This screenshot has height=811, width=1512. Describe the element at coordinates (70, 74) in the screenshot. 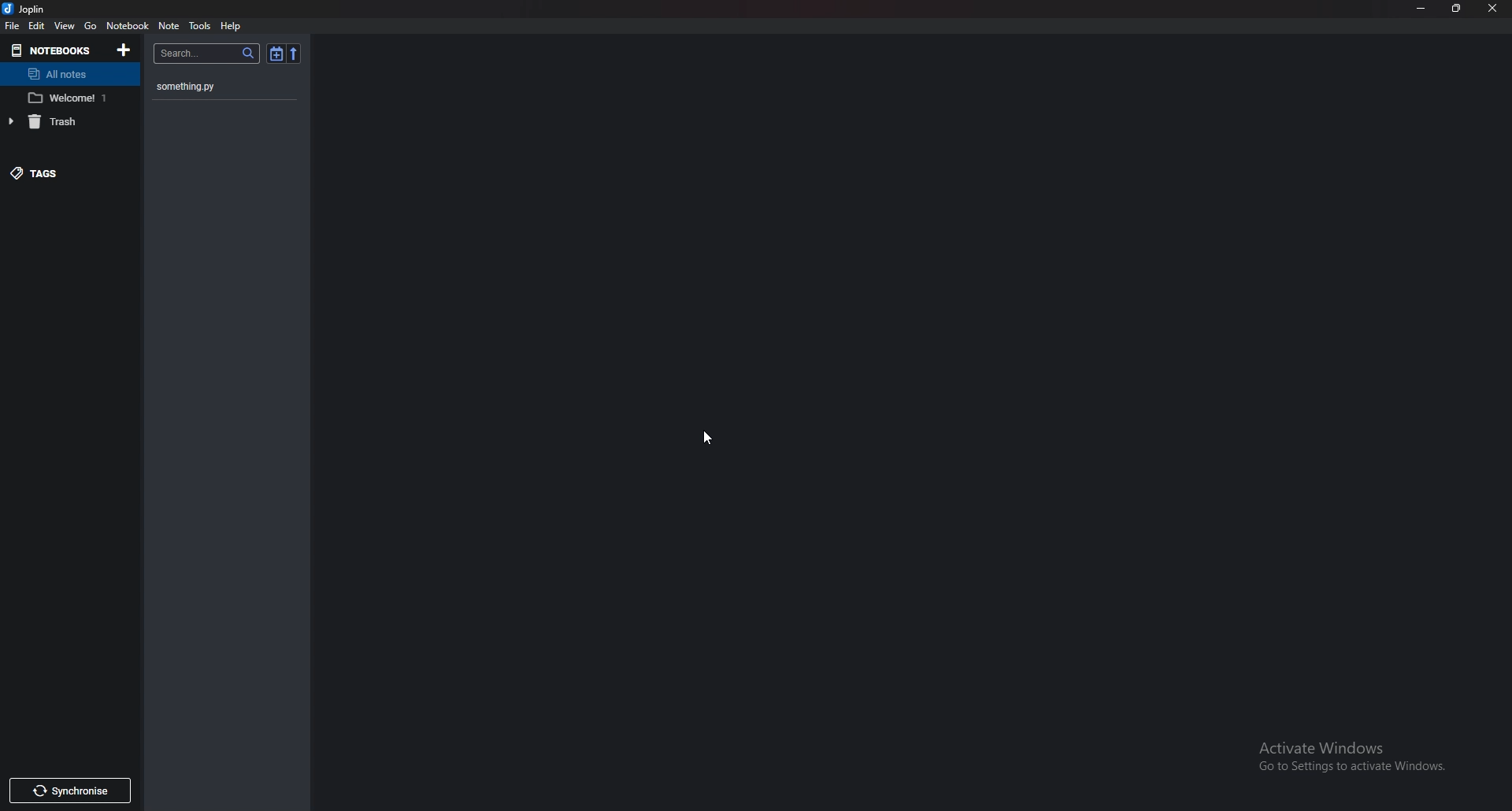

I see `All notes` at that location.